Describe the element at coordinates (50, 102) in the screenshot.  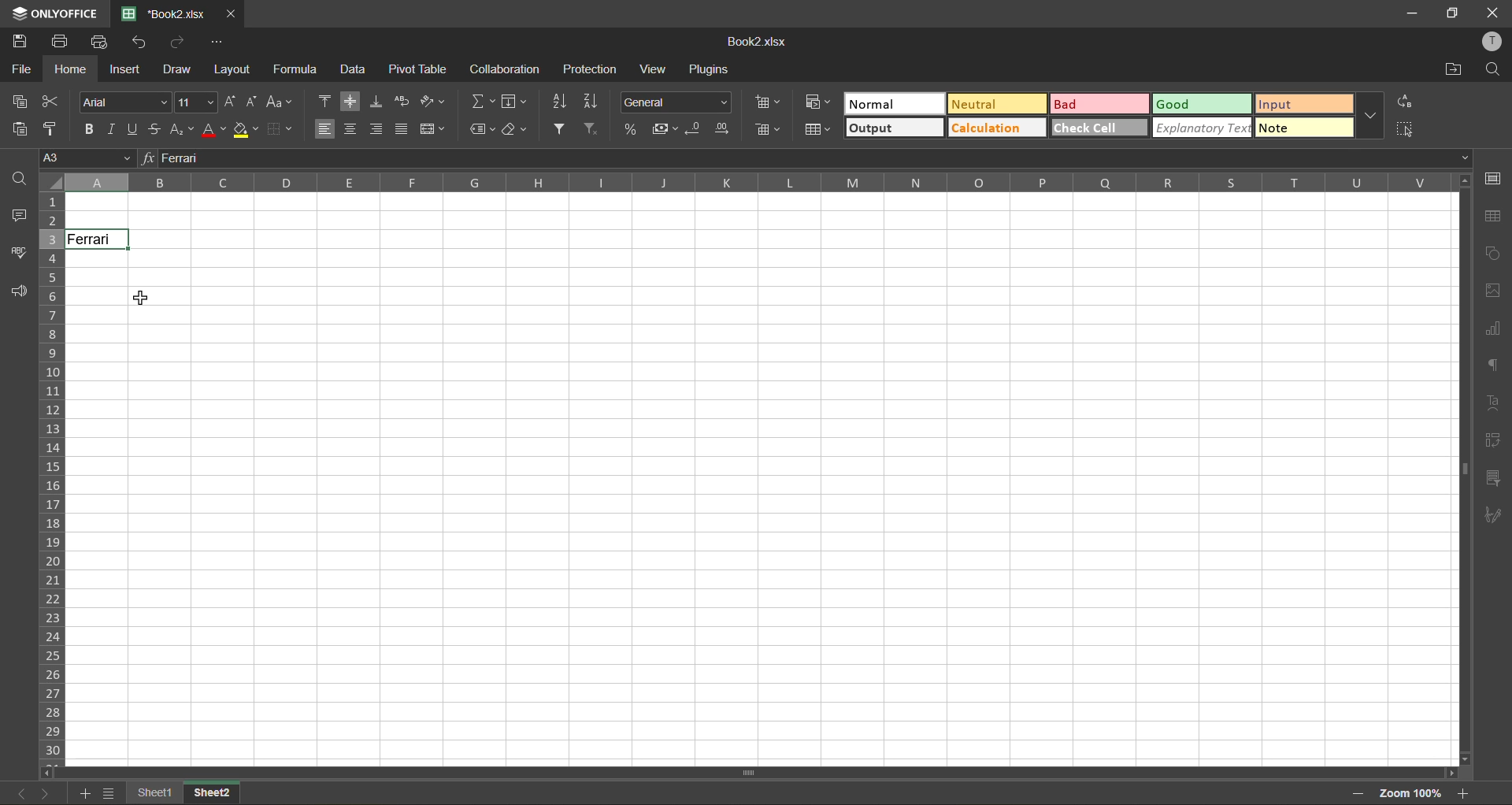
I see `cut` at that location.